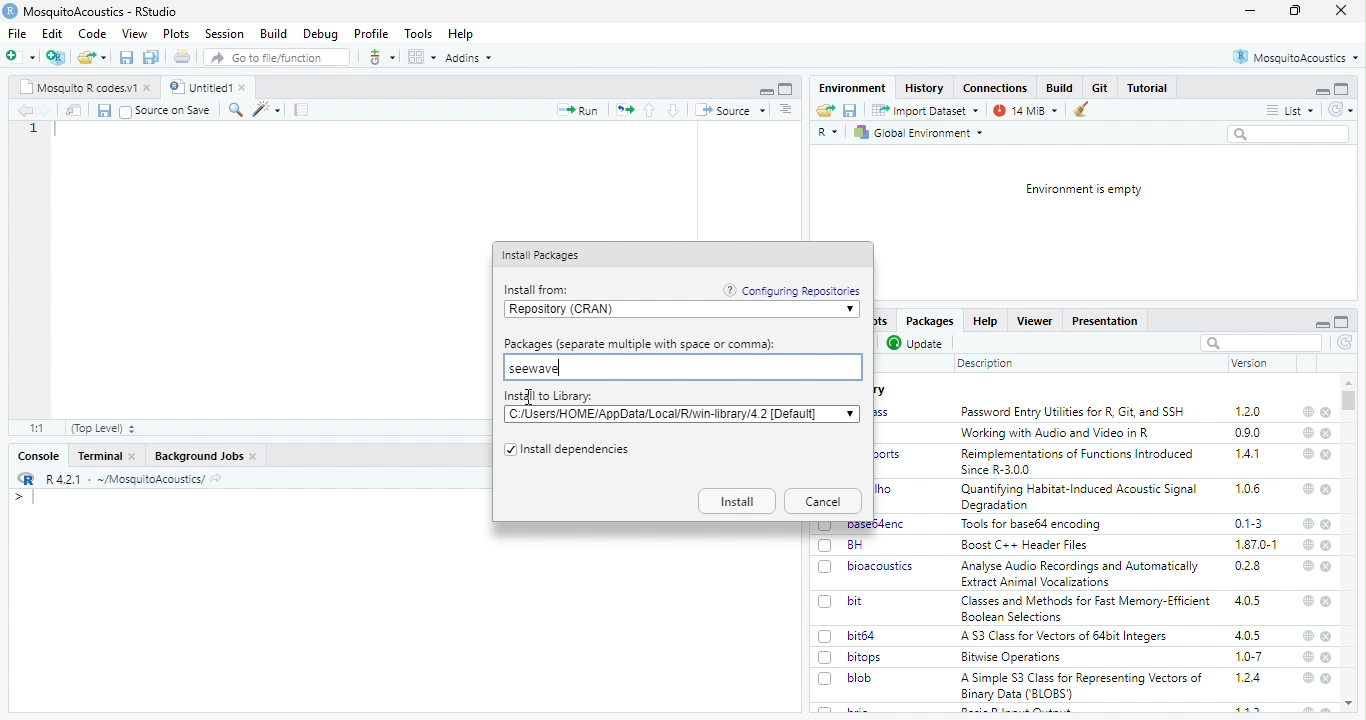  What do you see at coordinates (851, 310) in the screenshot?
I see `Drop-down ` at bounding box center [851, 310].